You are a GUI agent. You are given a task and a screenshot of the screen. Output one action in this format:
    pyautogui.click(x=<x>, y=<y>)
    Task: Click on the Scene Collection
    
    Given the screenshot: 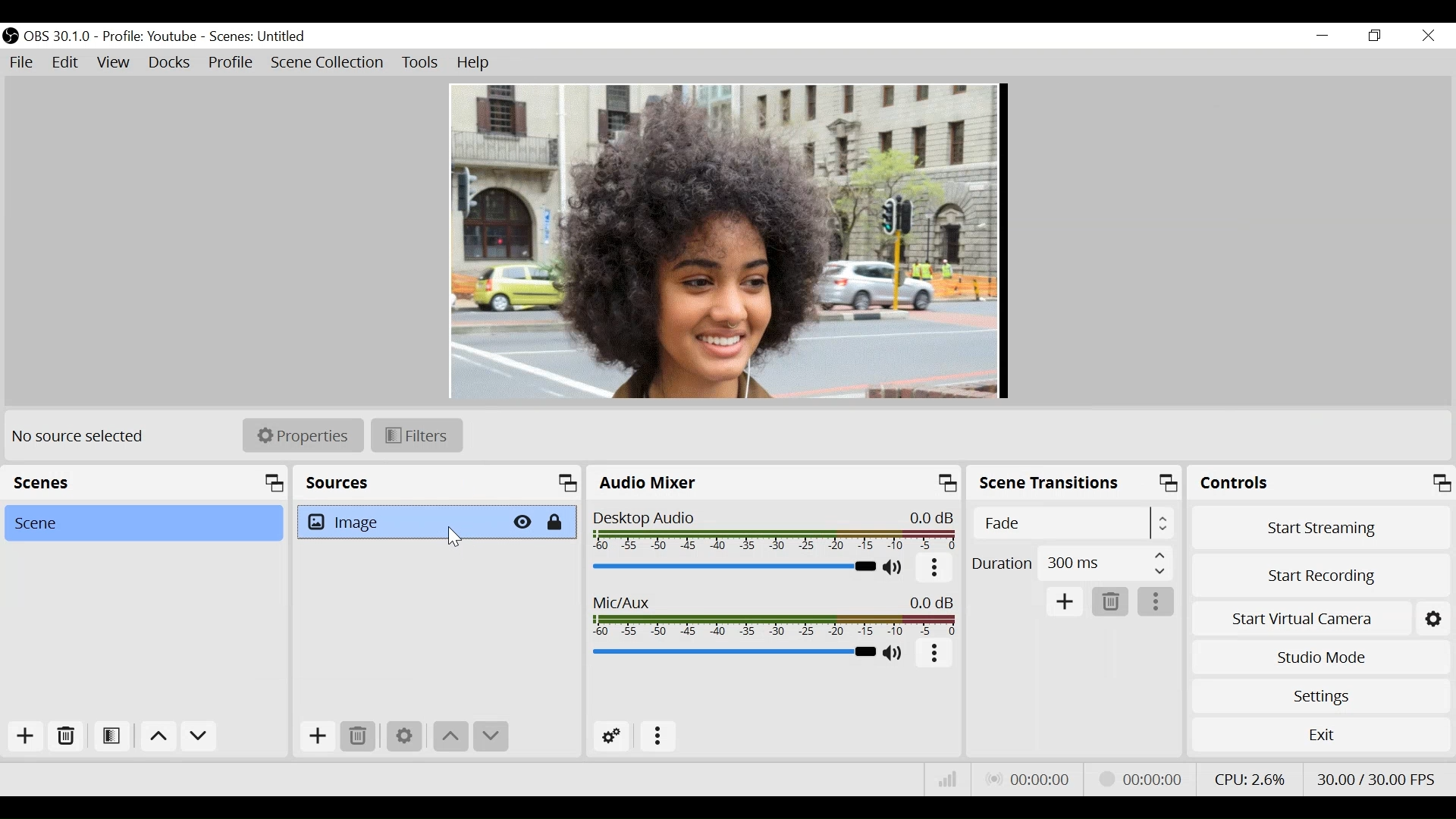 What is the action you would take?
    pyautogui.click(x=327, y=65)
    